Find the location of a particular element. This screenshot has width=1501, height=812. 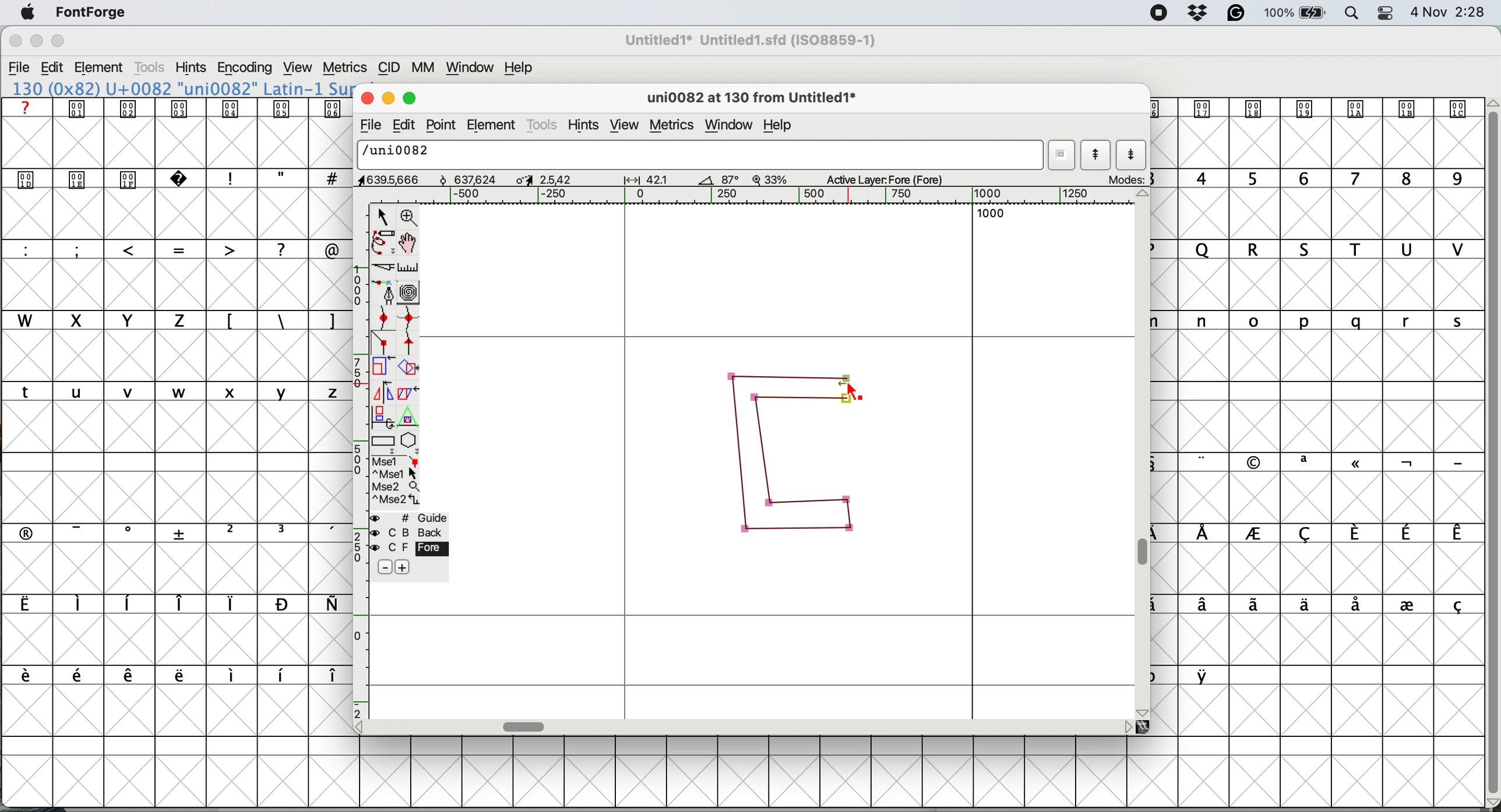

symbols is located at coordinates (1331, 534).